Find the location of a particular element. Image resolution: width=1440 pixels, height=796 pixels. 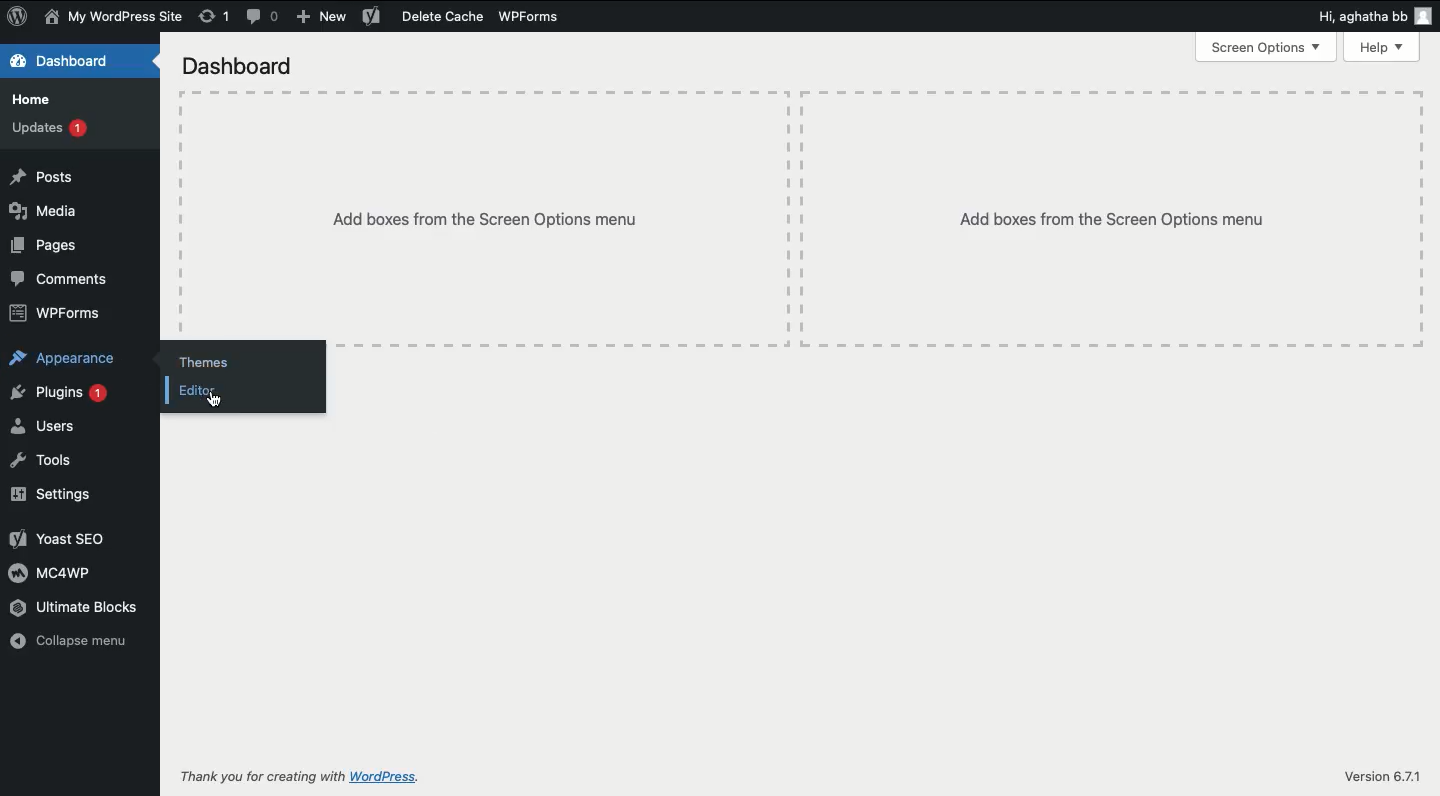

 Comments is located at coordinates (65, 279).